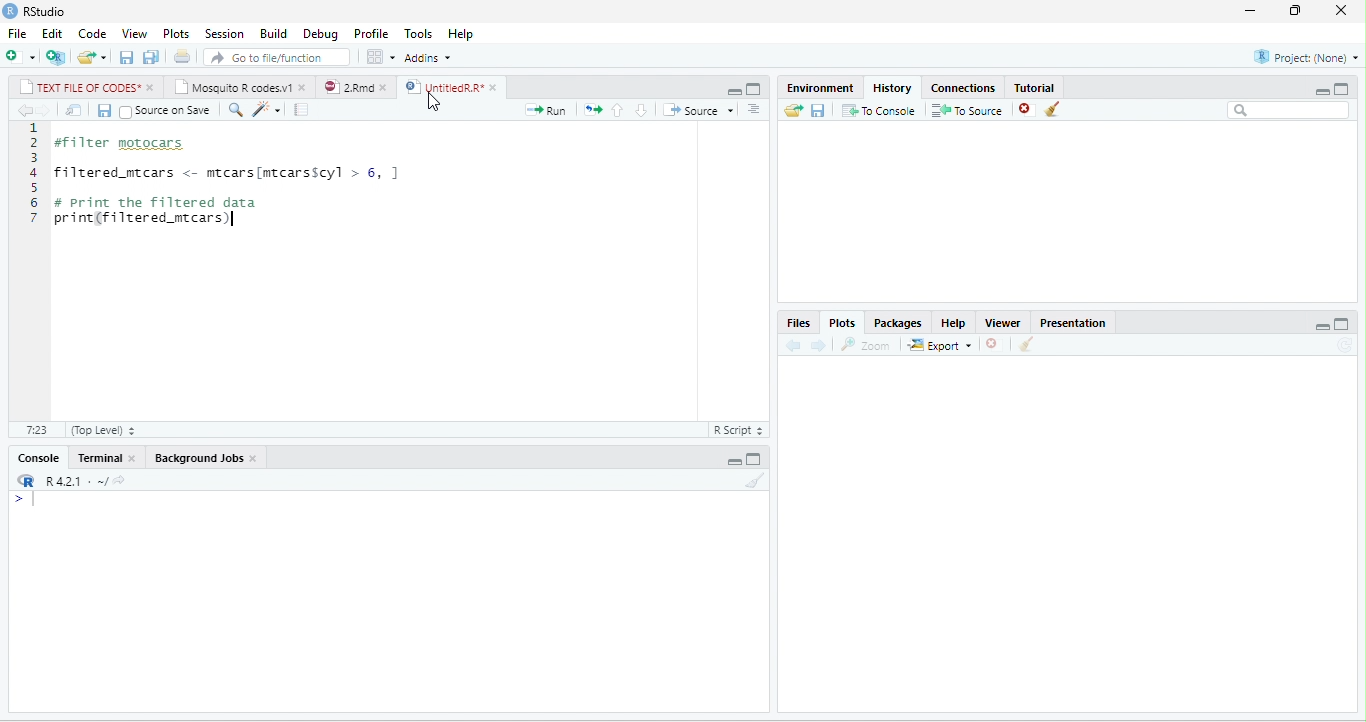 The height and width of the screenshot is (722, 1366). Describe the element at coordinates (1341, 10) in the screenshot. I see `close` at that location.